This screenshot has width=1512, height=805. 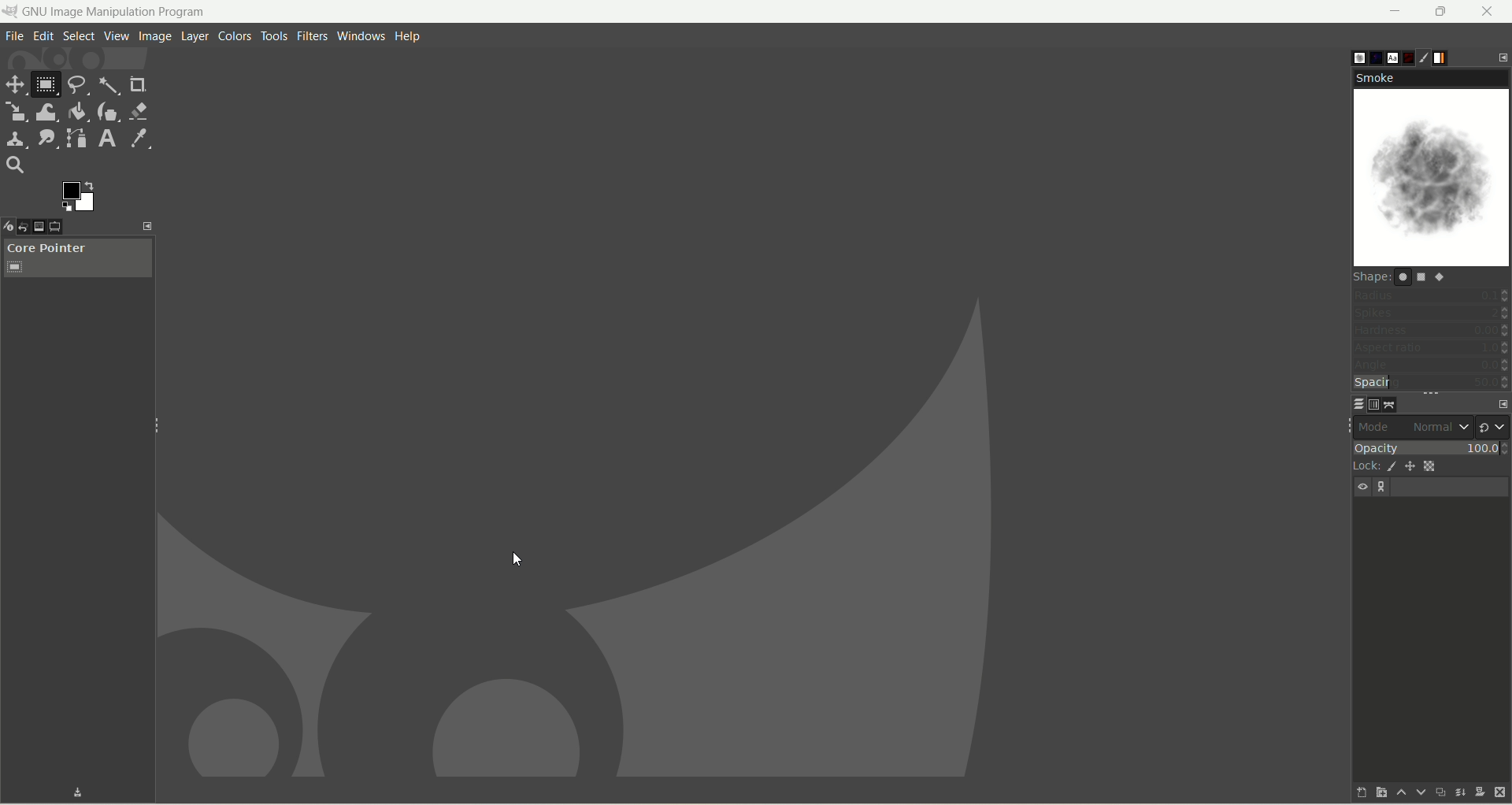 What do you see at coordinates (1503, 56) in the screenshot?
I see `configure this tab` at bounding box center [1503, 56].